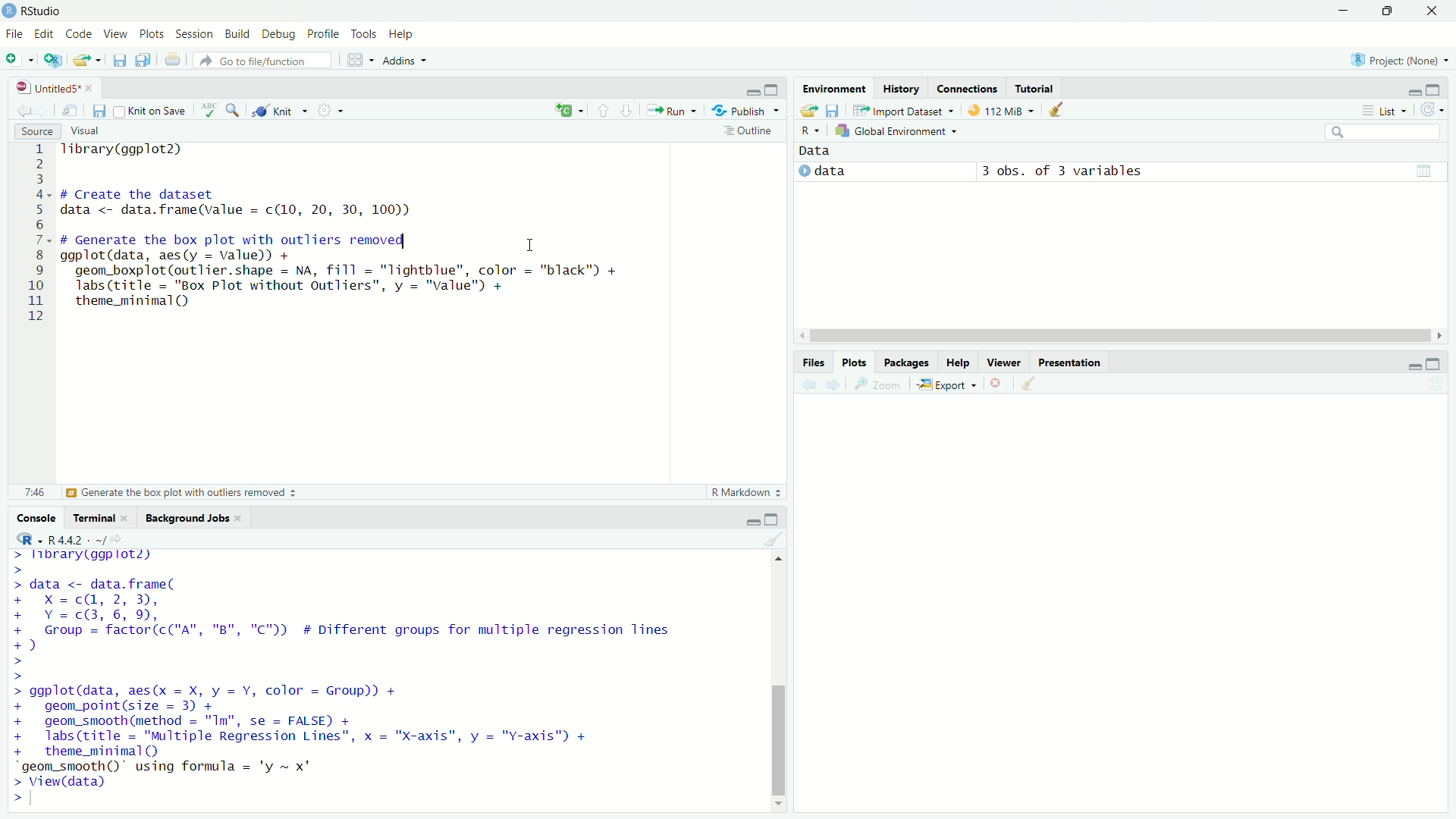  What do you see at coordinates (53, 63) in the screenshot?
I see `add` at bounding box center [53, 63].